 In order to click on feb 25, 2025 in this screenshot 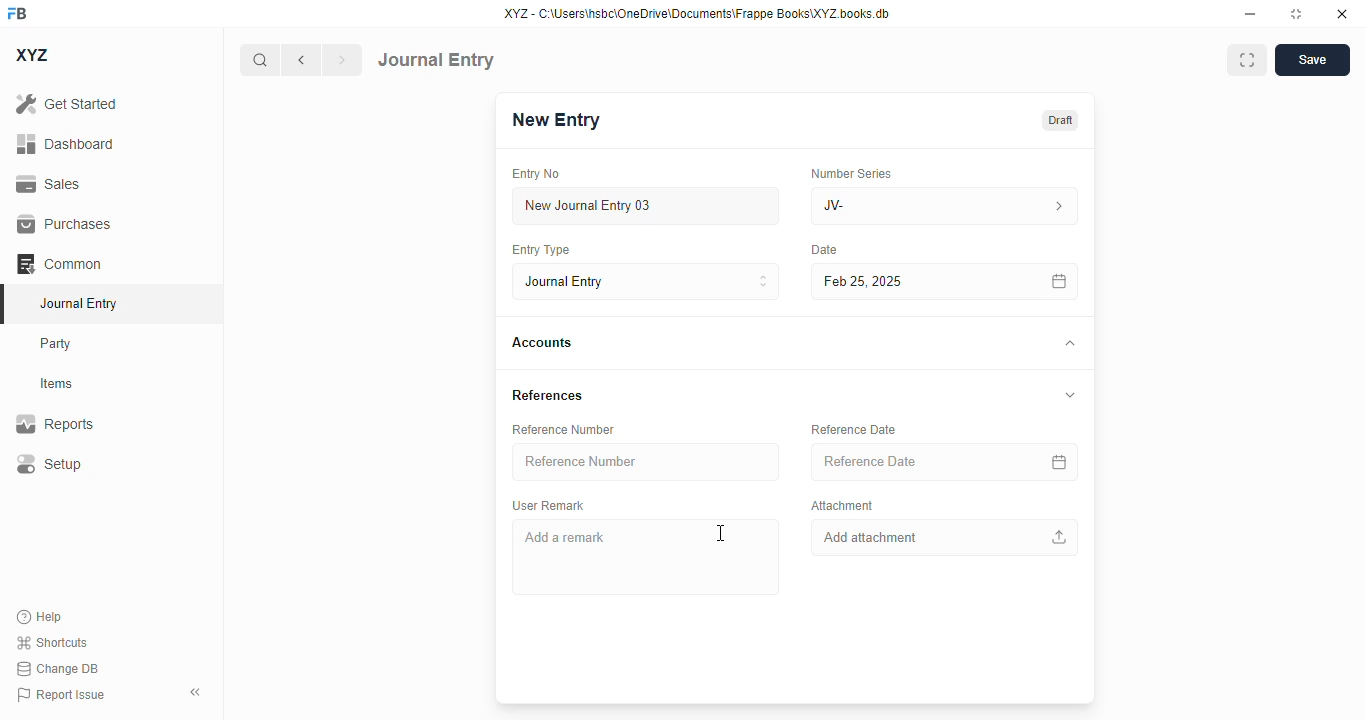, I will do `click(916, 281)`.